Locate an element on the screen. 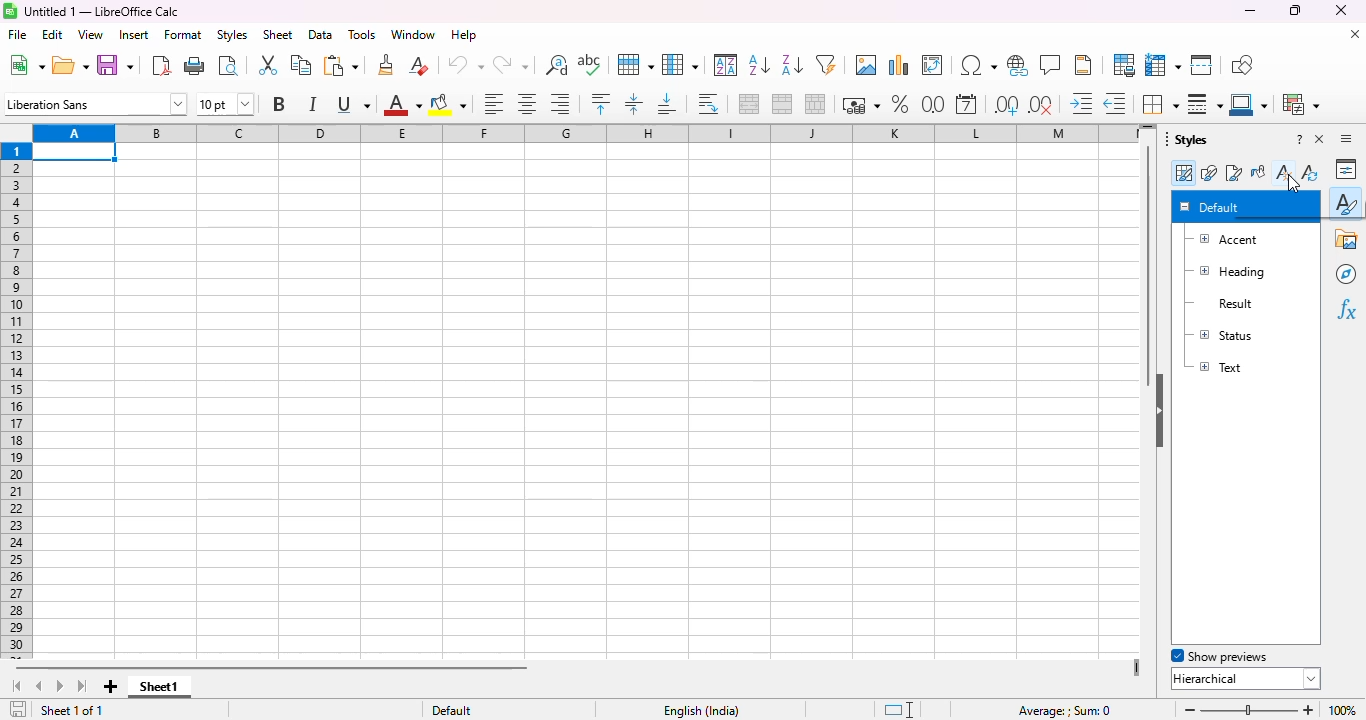 The width and height of the screenshot is (1366, 720). scroll to last sheet is located at coordinates (84, 687).